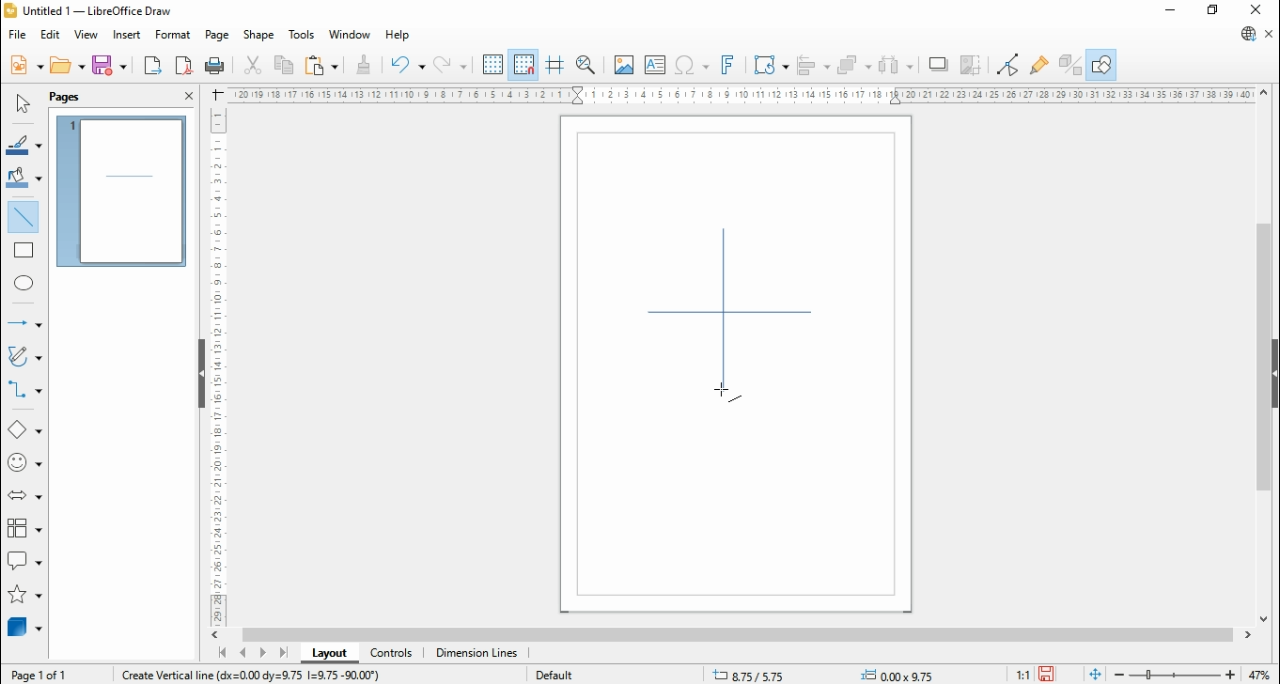  Describe the element at coordinates (24, 496) in the screenshot. I see `block arrows` at that location.